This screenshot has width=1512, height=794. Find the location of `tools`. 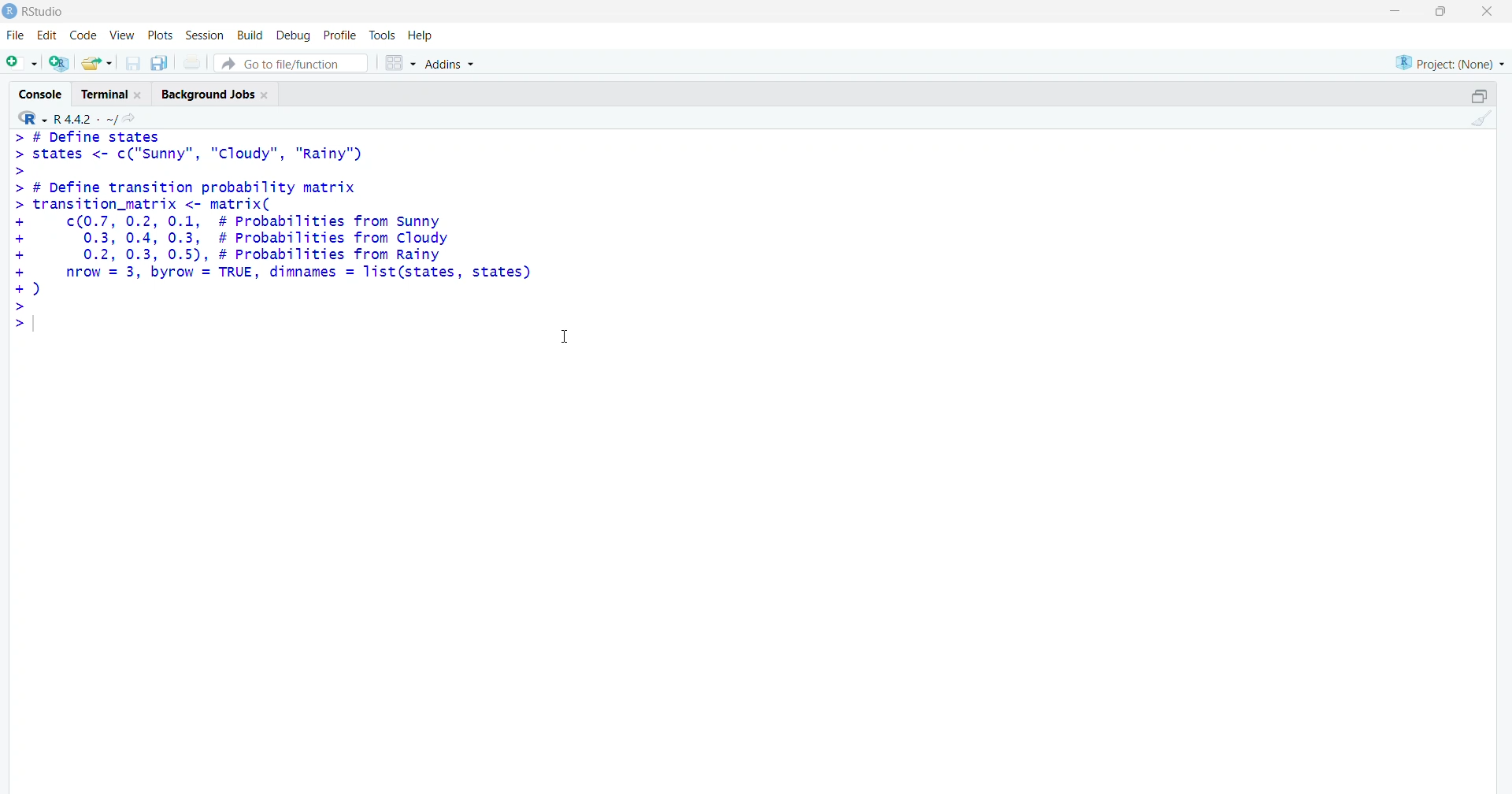

tools is located at coordinates (384, 33).